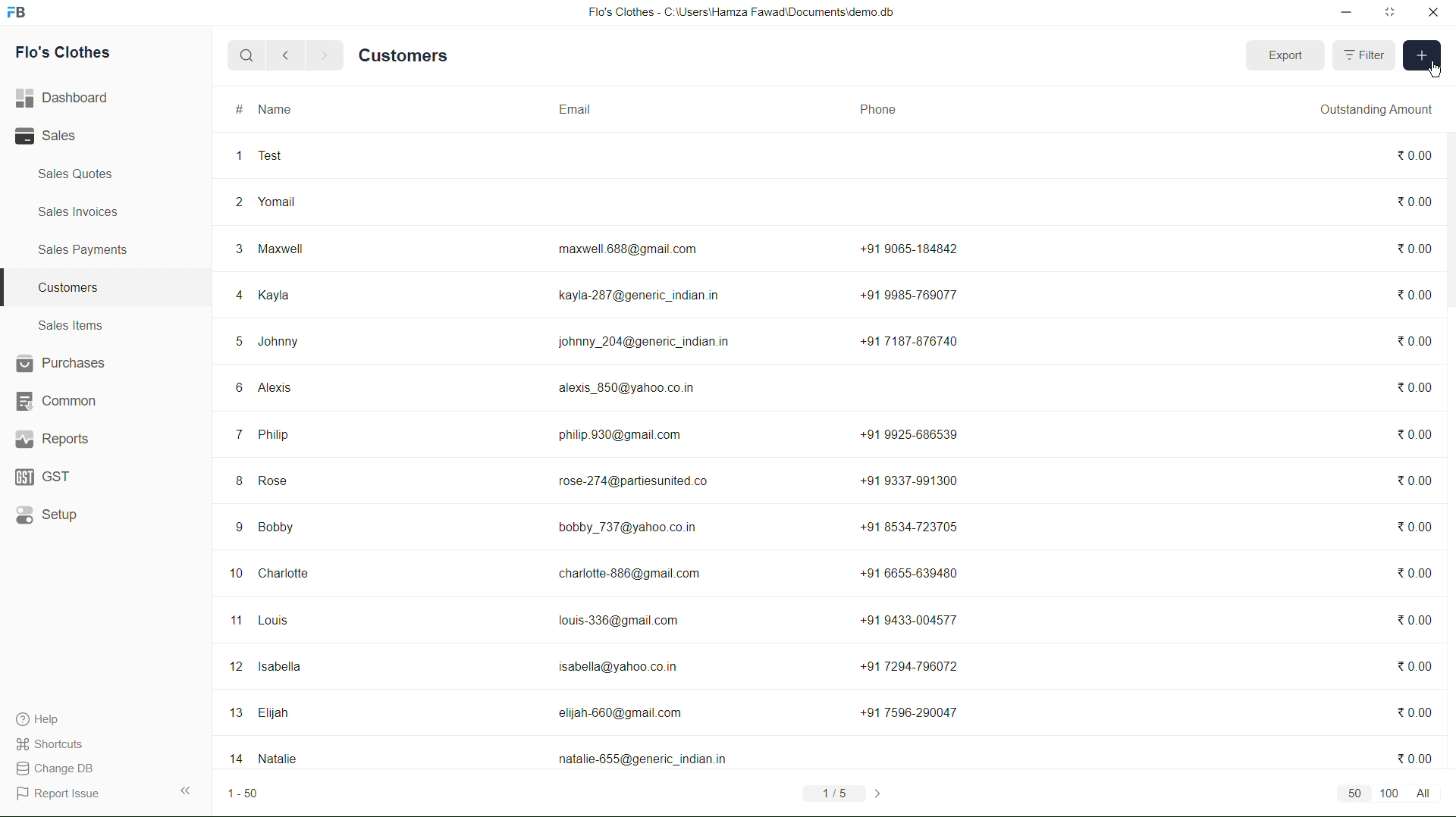 The height and width of the screenshot is (817, 1456). What do you see at coordinates (236, 575) in the screenshot?
I see `10` at bounding box center [236, 575].